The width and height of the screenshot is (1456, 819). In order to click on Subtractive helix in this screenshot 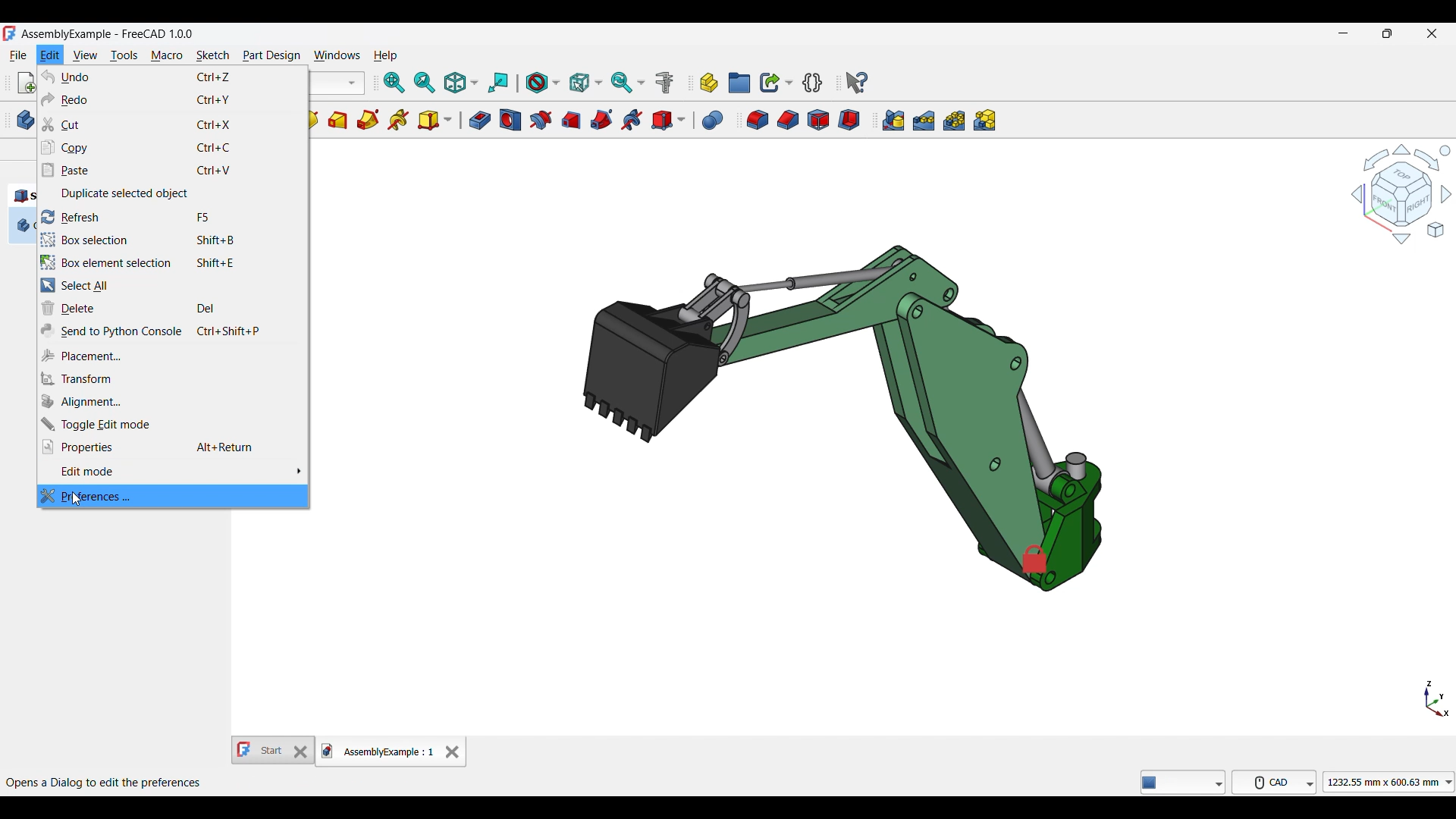, I will do `click(632, 120)`.